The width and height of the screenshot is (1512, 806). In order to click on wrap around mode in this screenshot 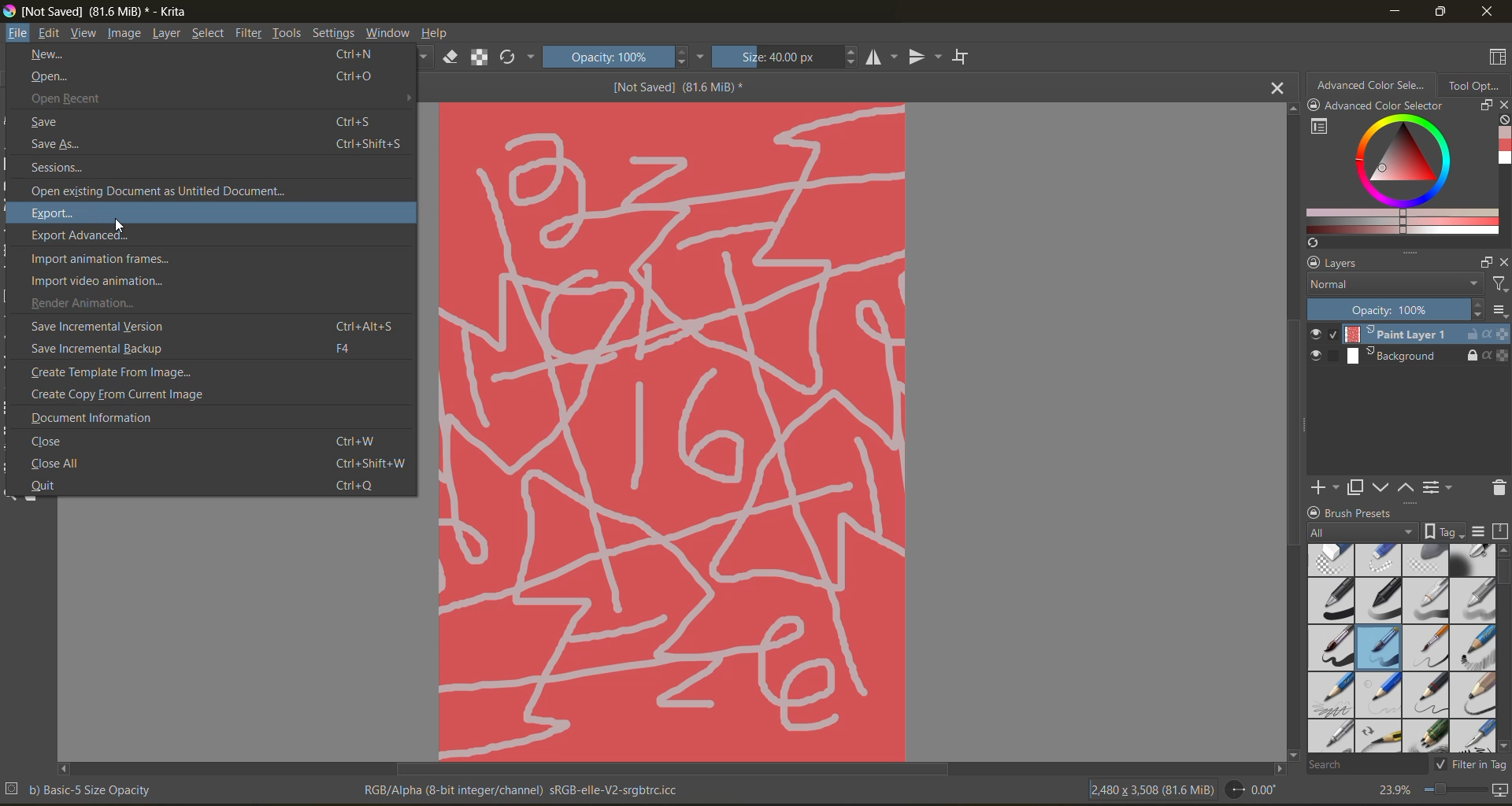, I will do `click(965, 57)`.